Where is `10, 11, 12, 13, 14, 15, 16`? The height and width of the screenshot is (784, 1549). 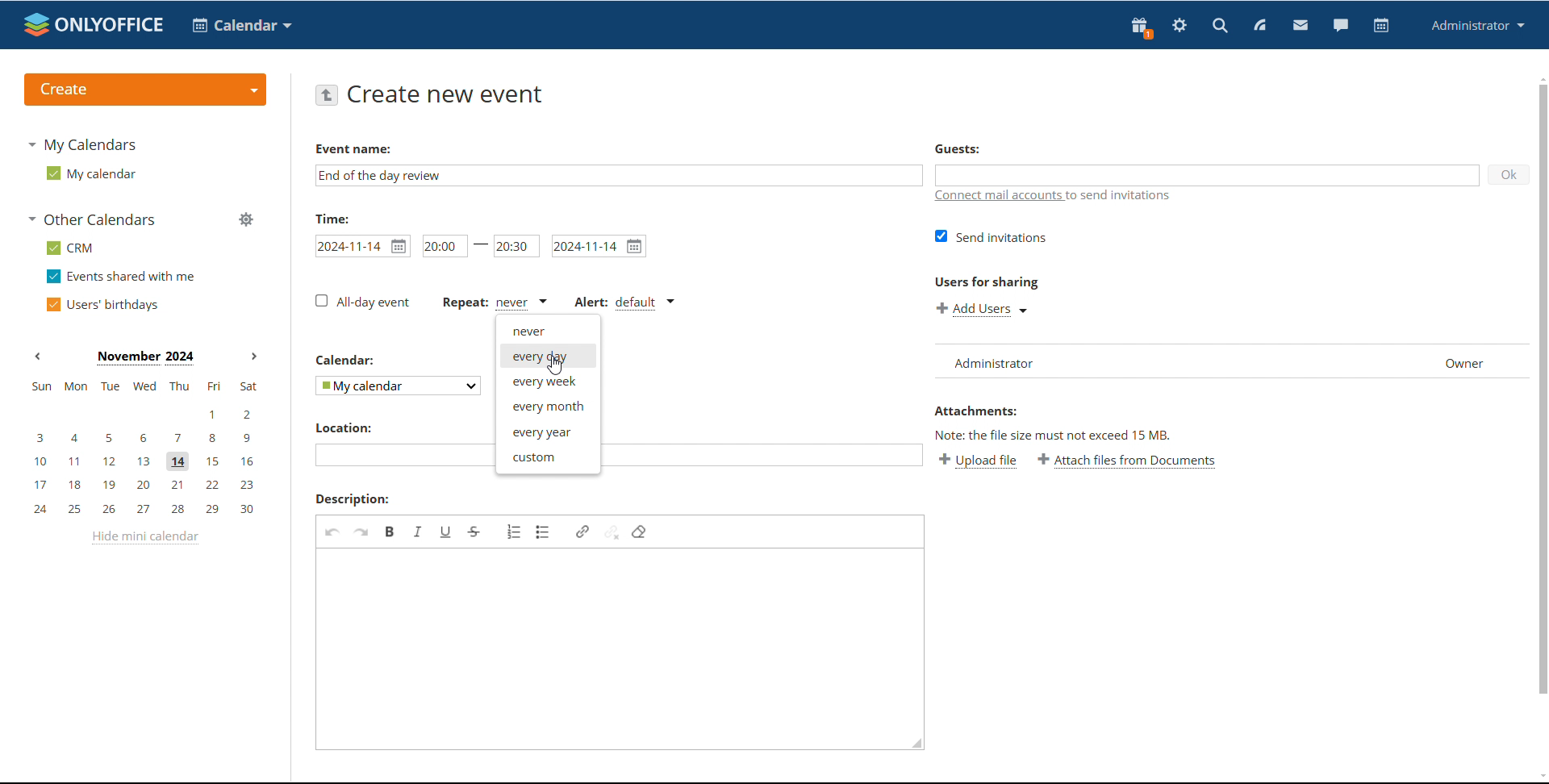 10, 11, 12, 13, 14, 15, 16 is located at coordinates (148, 462).